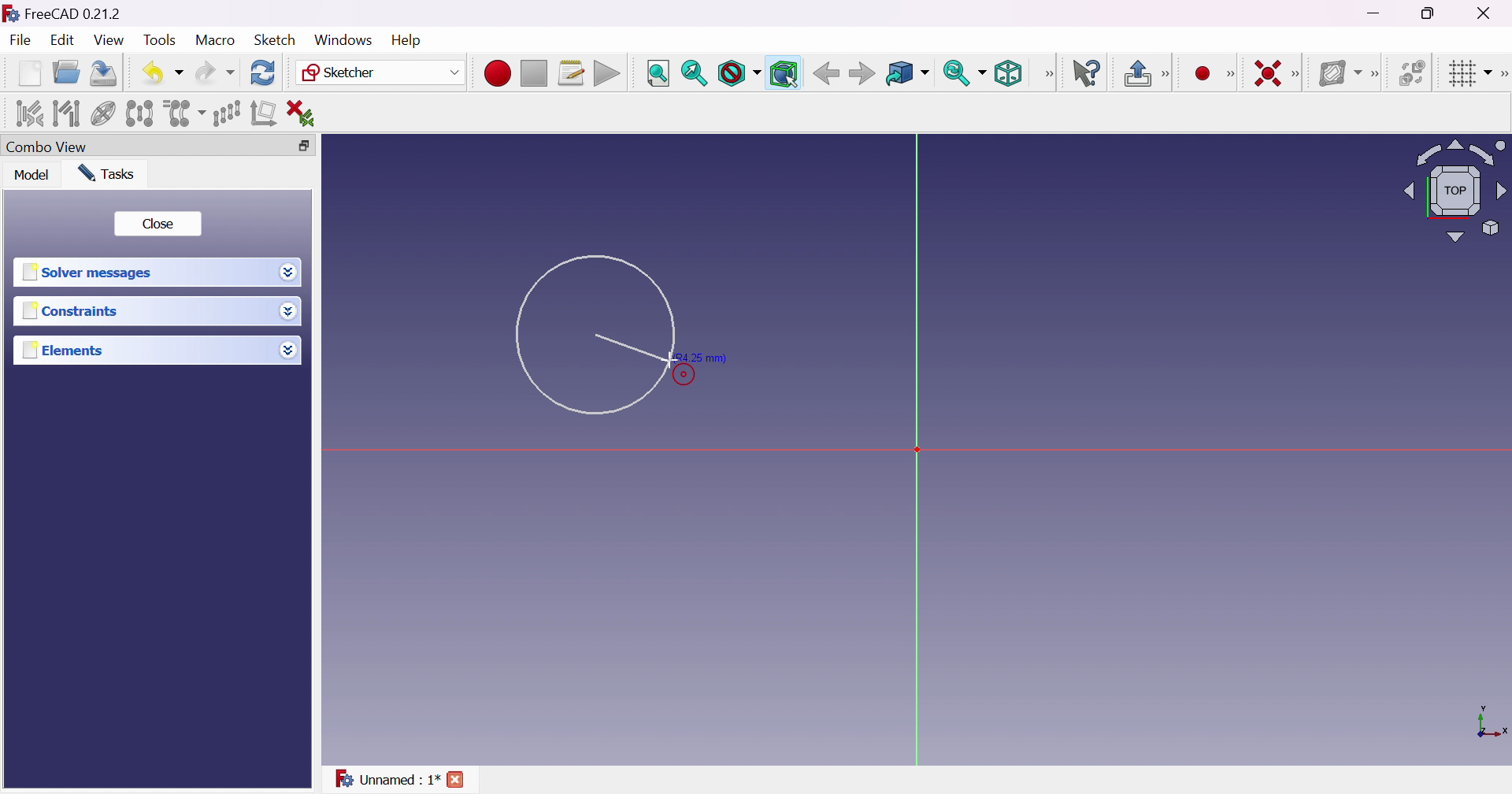 This screenshot has height=794, width=1512. What do you see at coordinates (107, 173) in the screenshot?
I see `Tasks` at bounding box center [107, 173].